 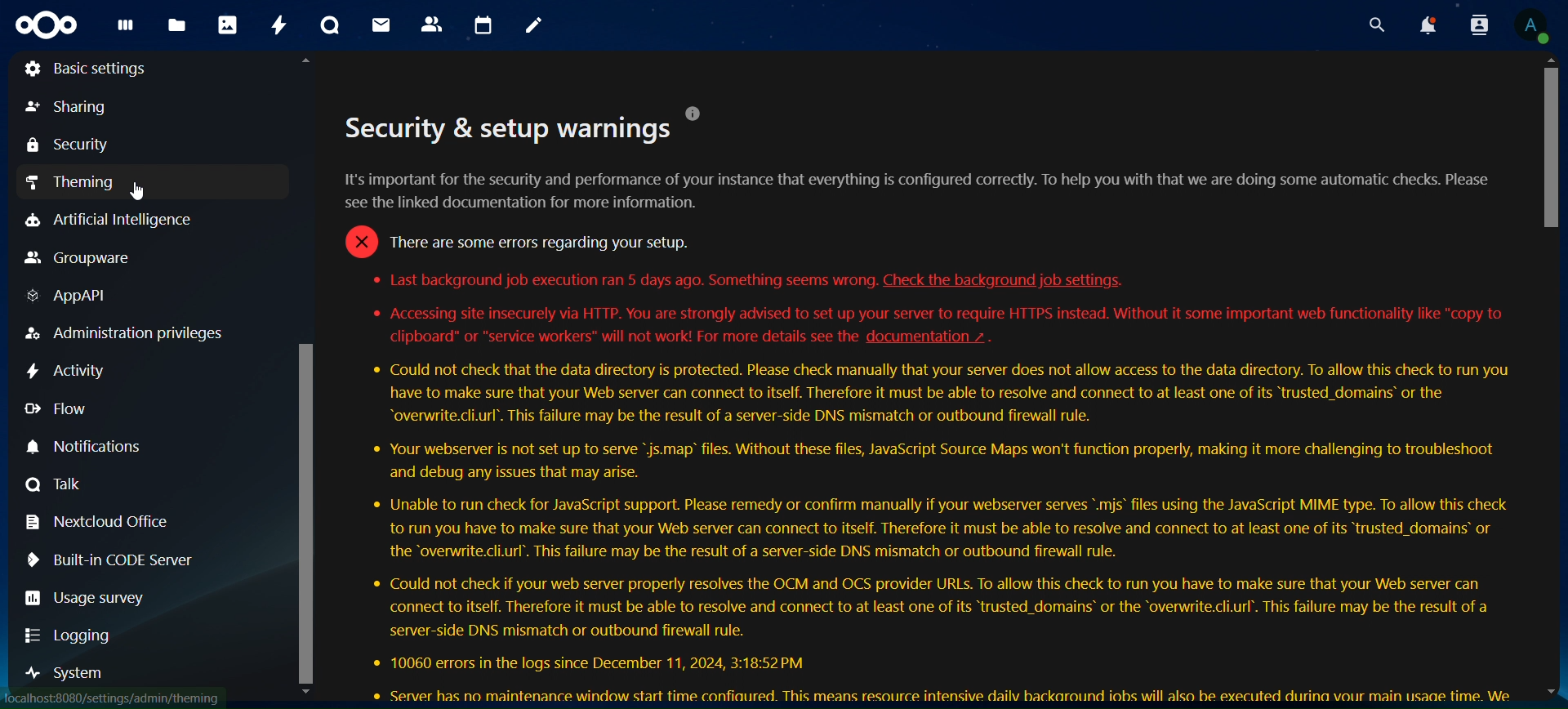 What do you see at coordinates (1548, 141) in the screenshot?
I see `scroll bar` at bounding box center [1548, 141].